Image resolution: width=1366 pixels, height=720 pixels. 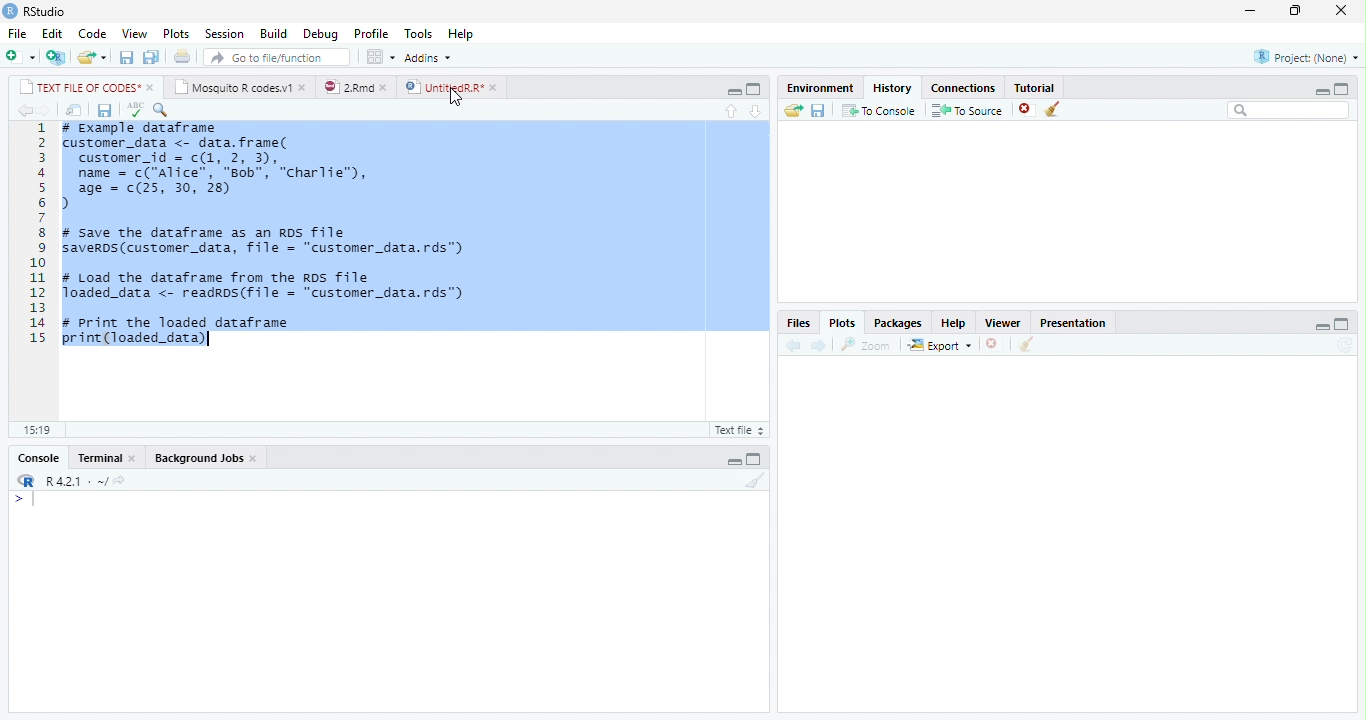 I want to click on Code, so click(x=92, y=34).